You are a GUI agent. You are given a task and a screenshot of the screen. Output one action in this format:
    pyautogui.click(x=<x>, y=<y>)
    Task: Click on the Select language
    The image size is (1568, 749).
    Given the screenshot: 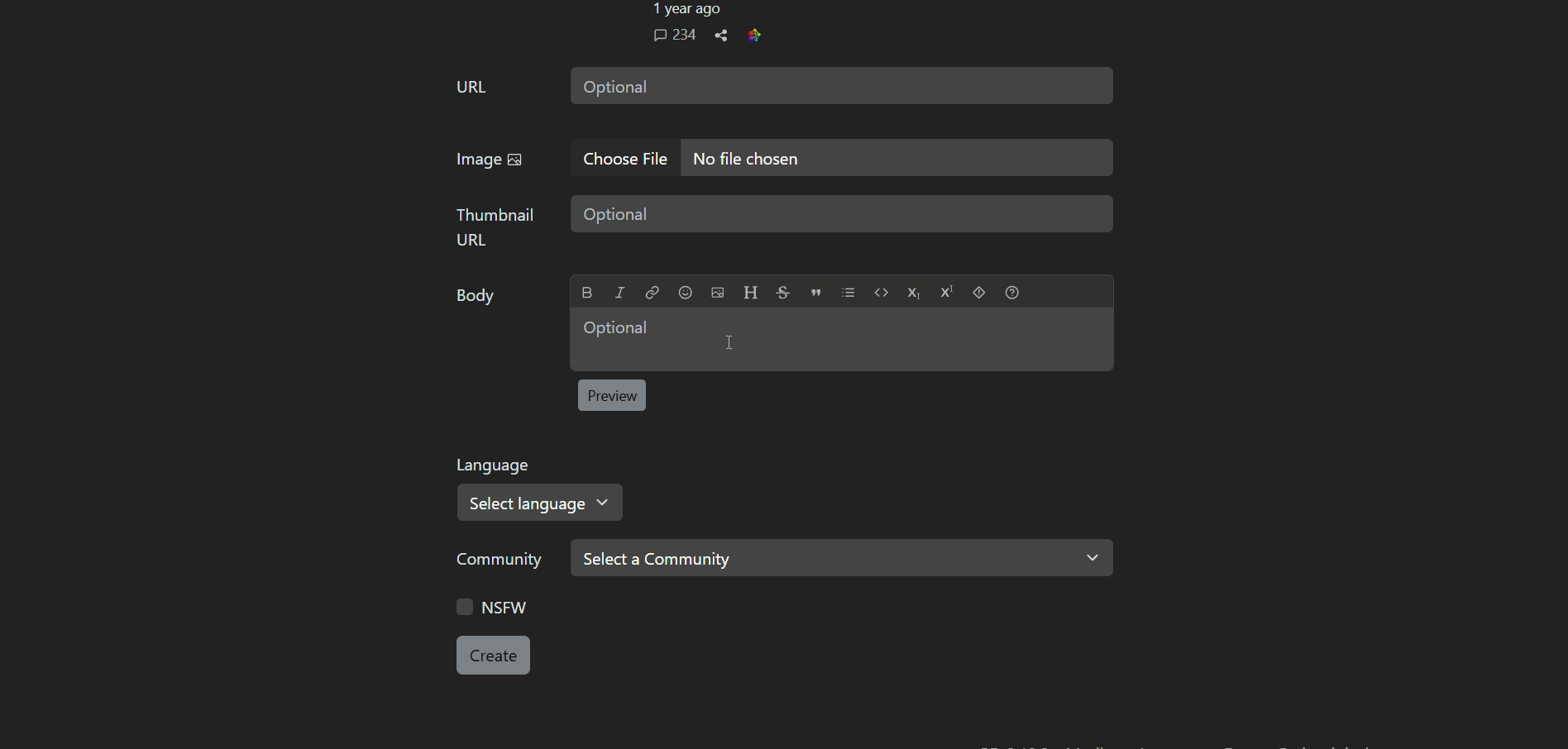 What is the action you would take?
    pyautogui.click(x=542, y=502)
    